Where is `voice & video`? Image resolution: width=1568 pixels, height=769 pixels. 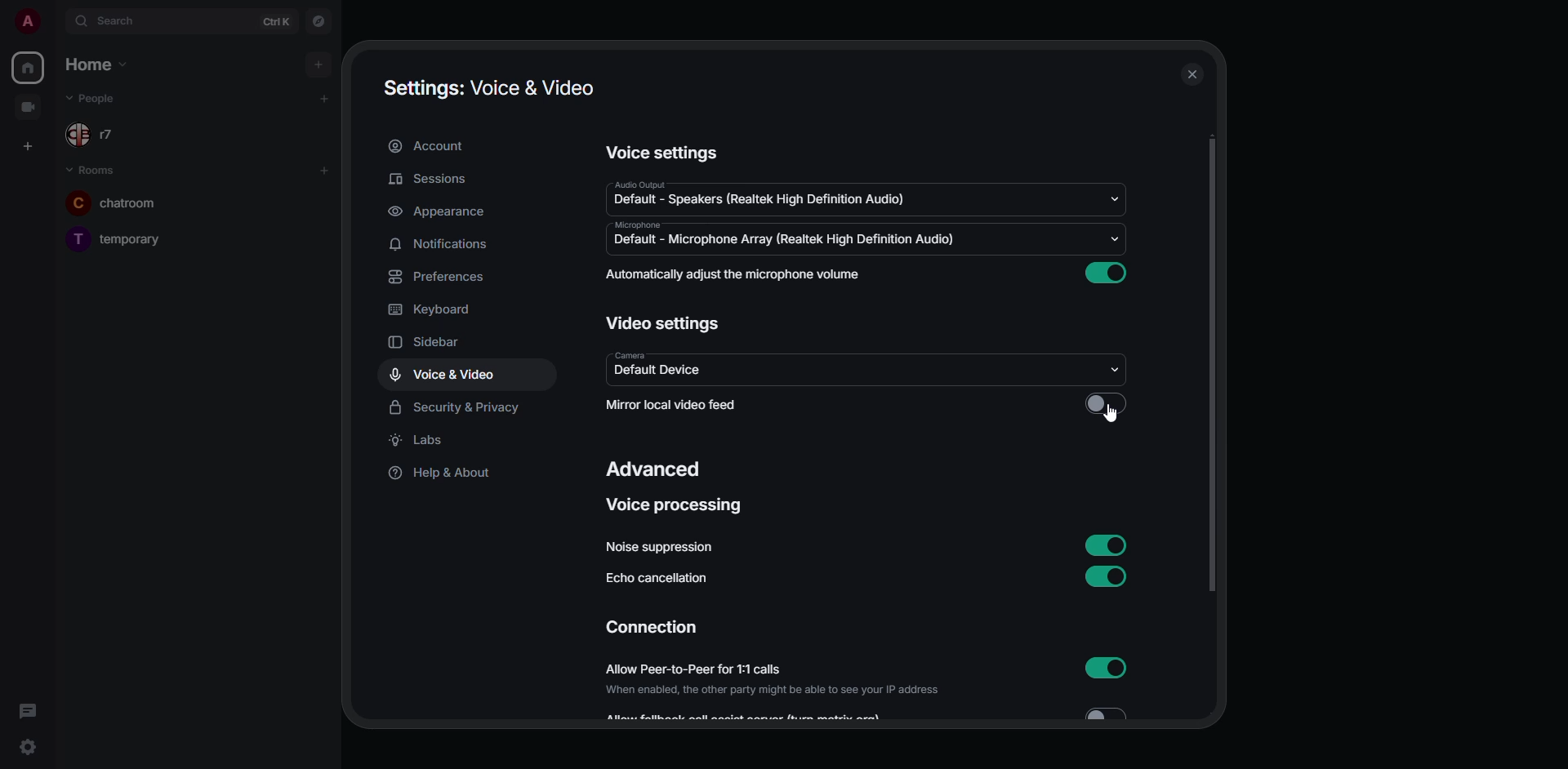
voice & video is located at coordinates (443, 376).